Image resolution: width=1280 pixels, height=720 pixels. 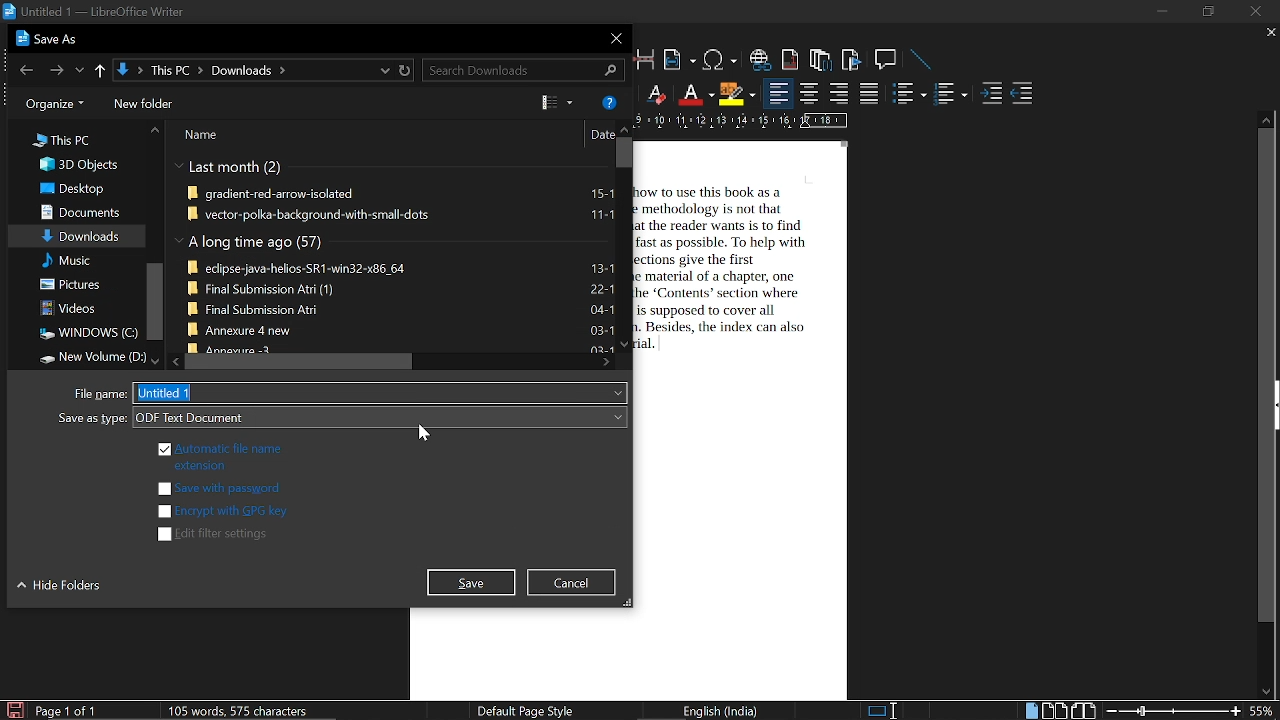 What do you see at coordinates (736, 95) in the screenshot?
I see `highlight` at bounding box center [736, 95].